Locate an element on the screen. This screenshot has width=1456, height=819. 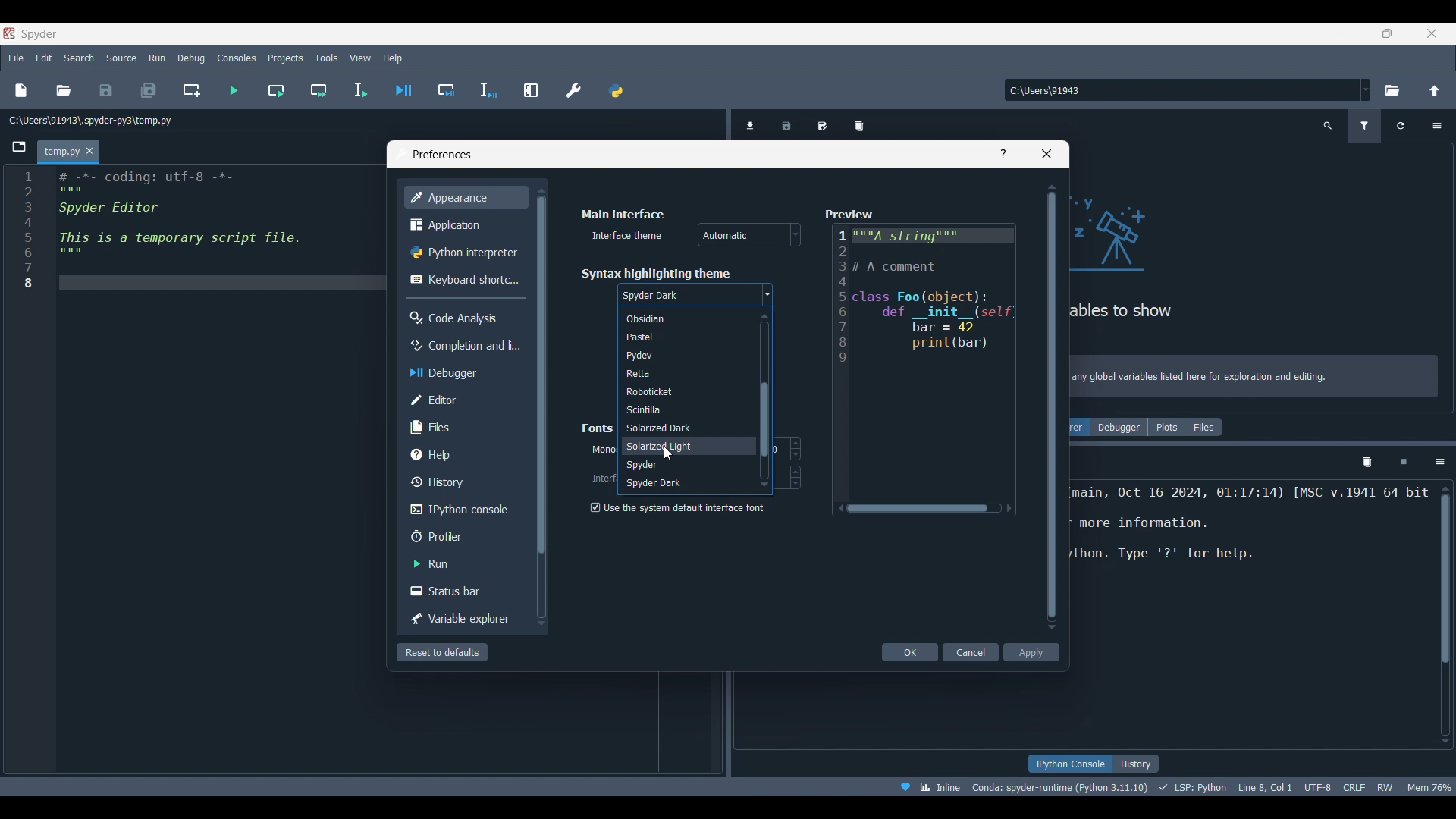
Variable explorer is located at coordinates (1079, 427).